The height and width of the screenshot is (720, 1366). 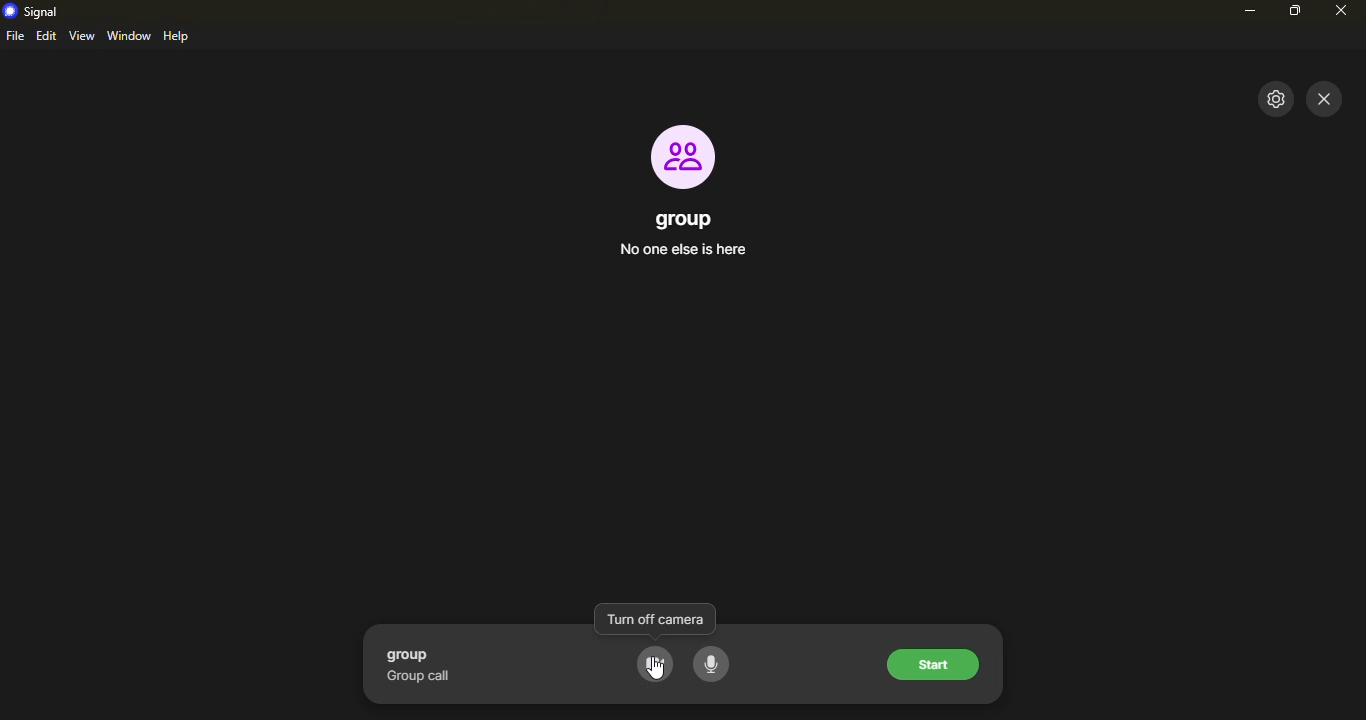 What do you see at coordinates (18, 35) in the screenshot?
I see `file` at bounding box center [18, 35].